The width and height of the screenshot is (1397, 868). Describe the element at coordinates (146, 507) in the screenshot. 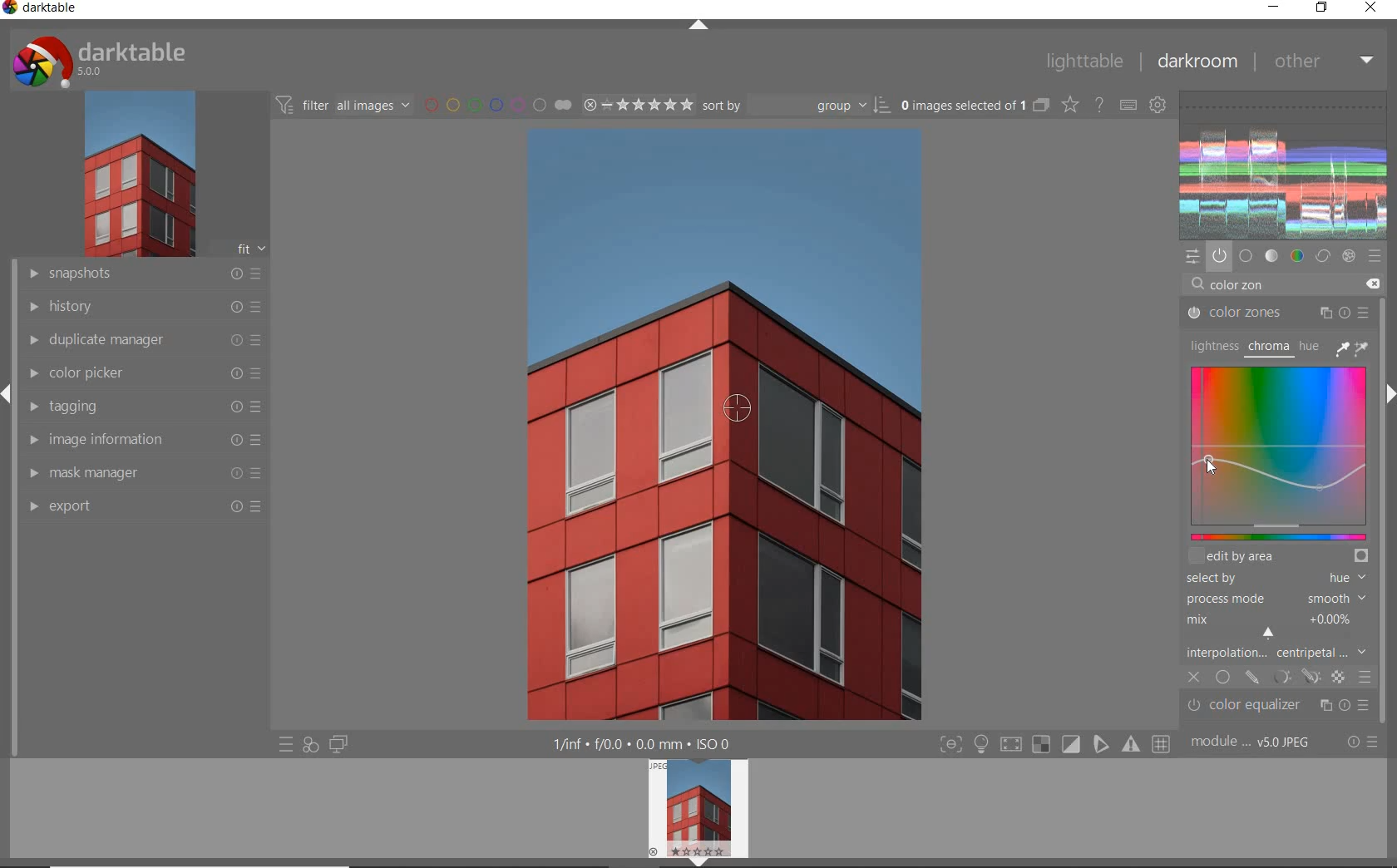

I see `export` at that location.